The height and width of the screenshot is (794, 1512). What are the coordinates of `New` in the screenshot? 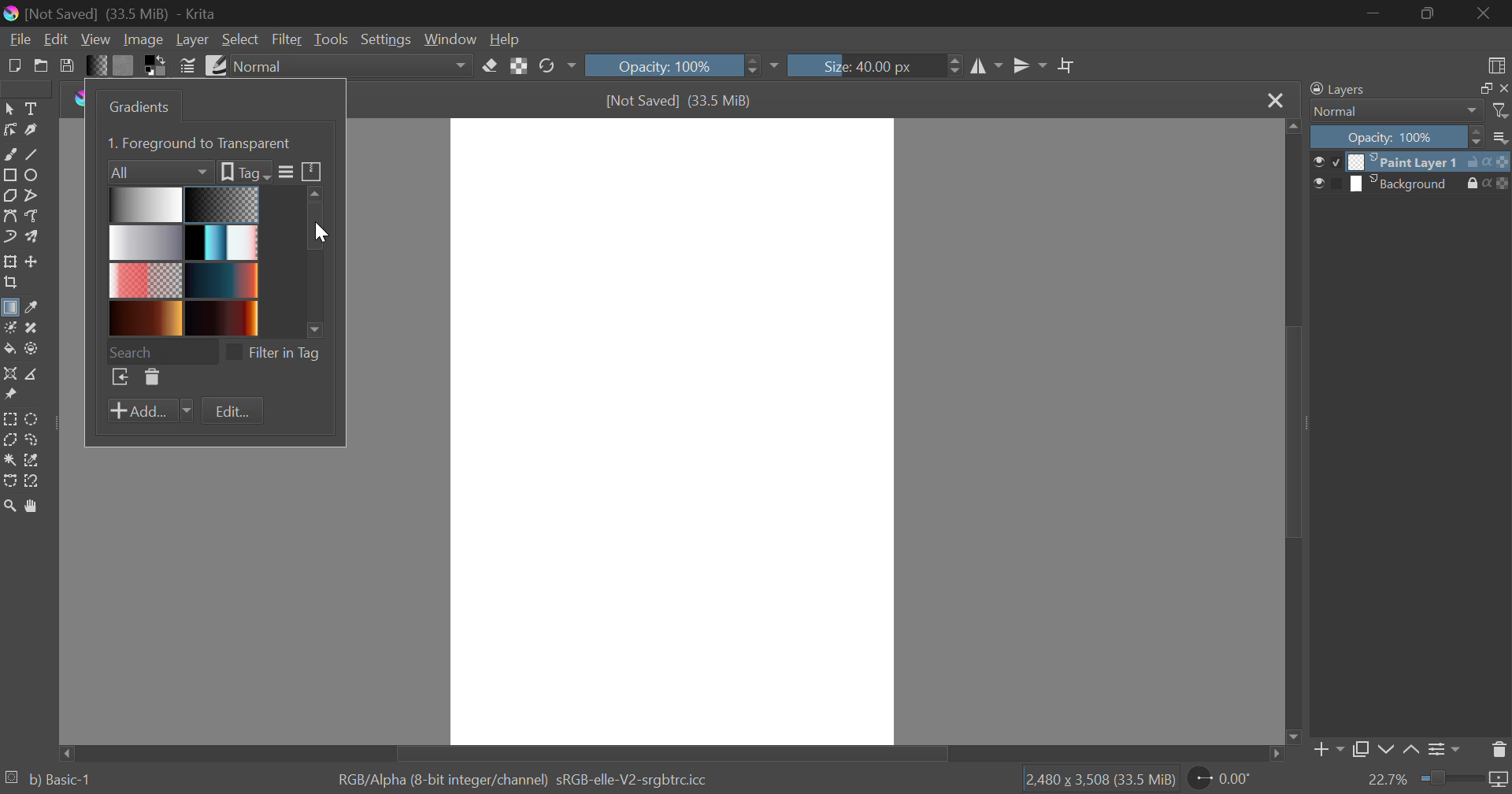 It's located at (13, 64).